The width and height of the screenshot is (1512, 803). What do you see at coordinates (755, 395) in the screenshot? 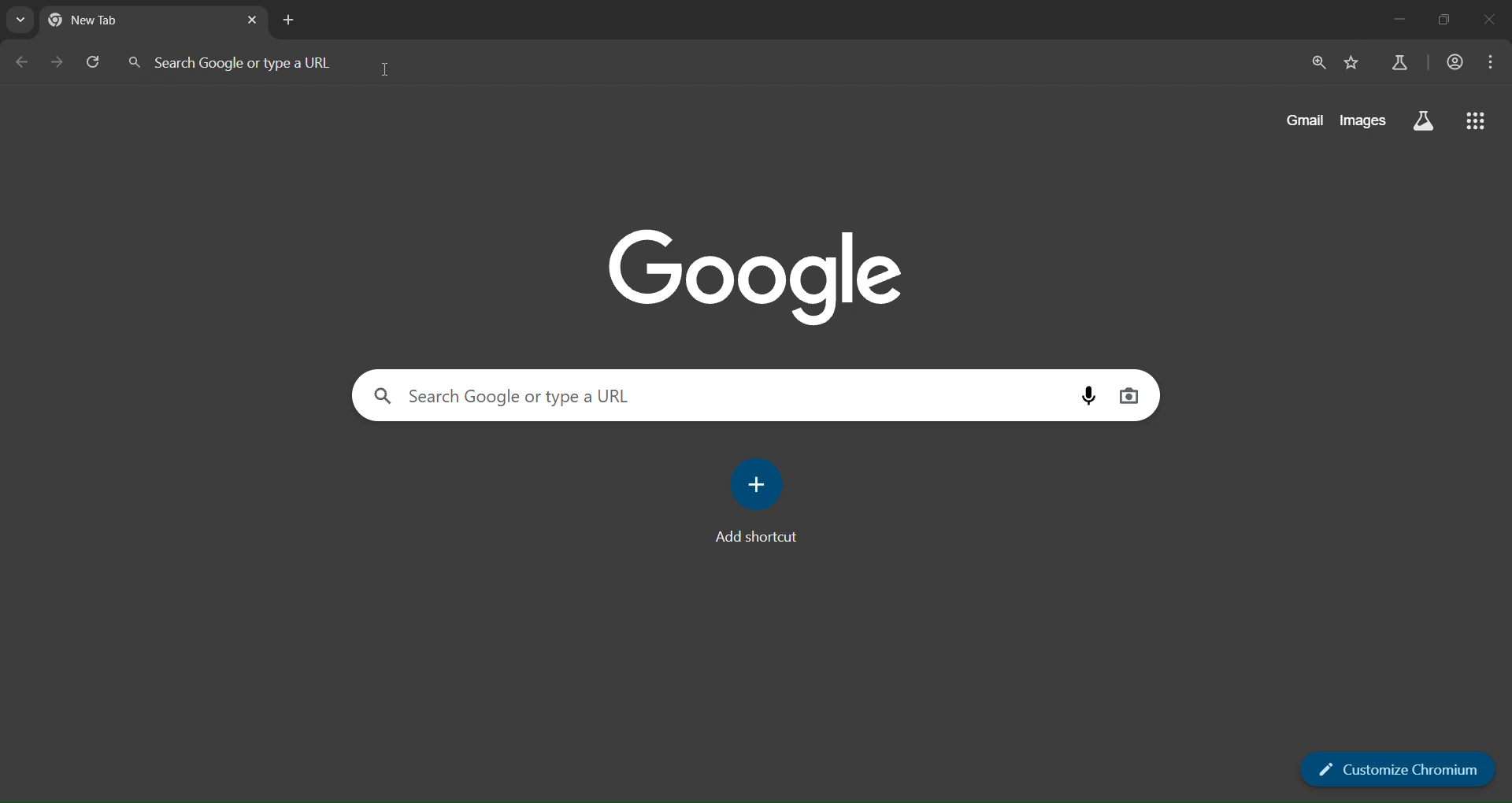
I see `search panel` at bounding box center [755, 395].